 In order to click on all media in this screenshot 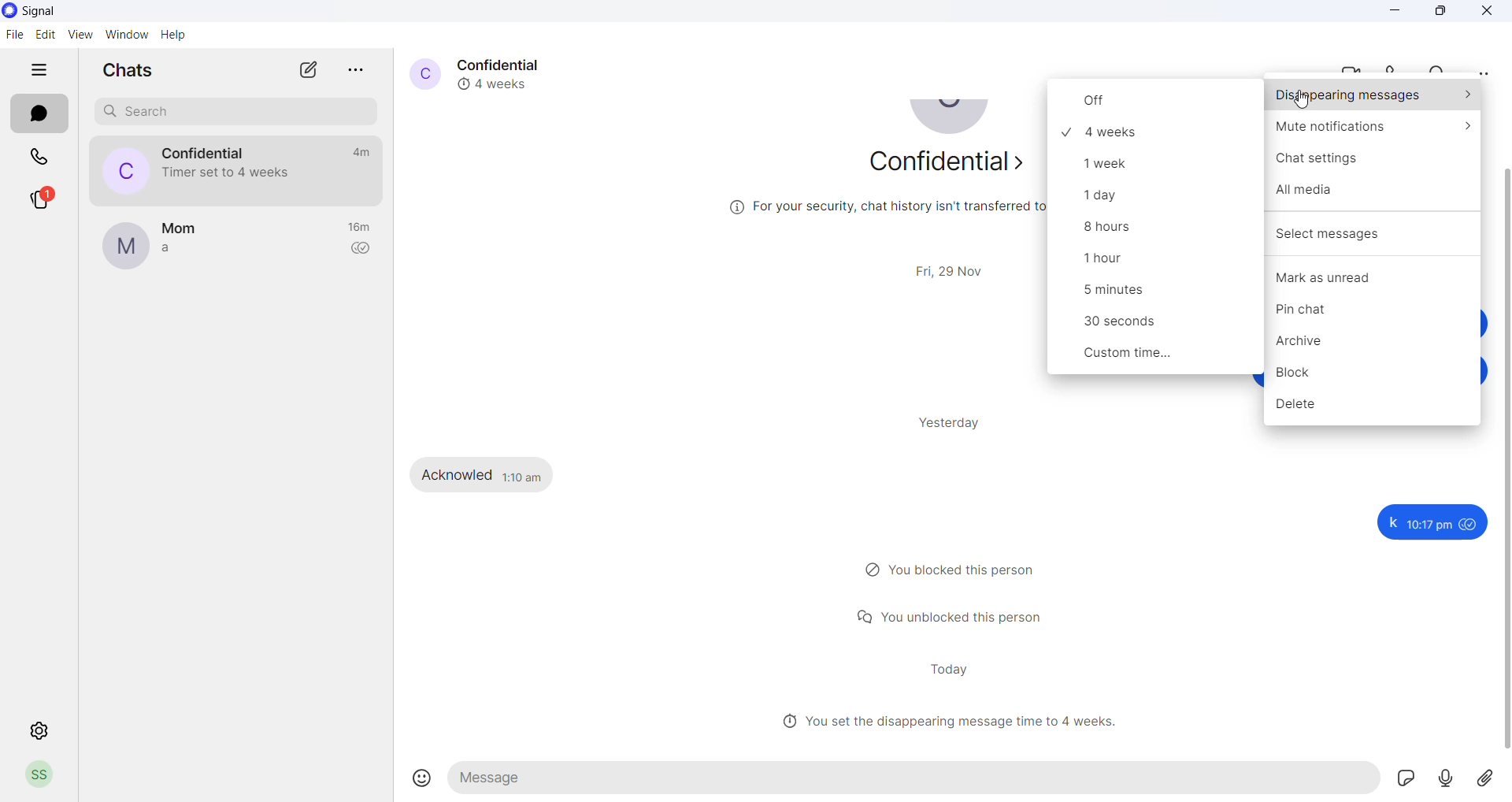, I will do `click(1374, 199)`.